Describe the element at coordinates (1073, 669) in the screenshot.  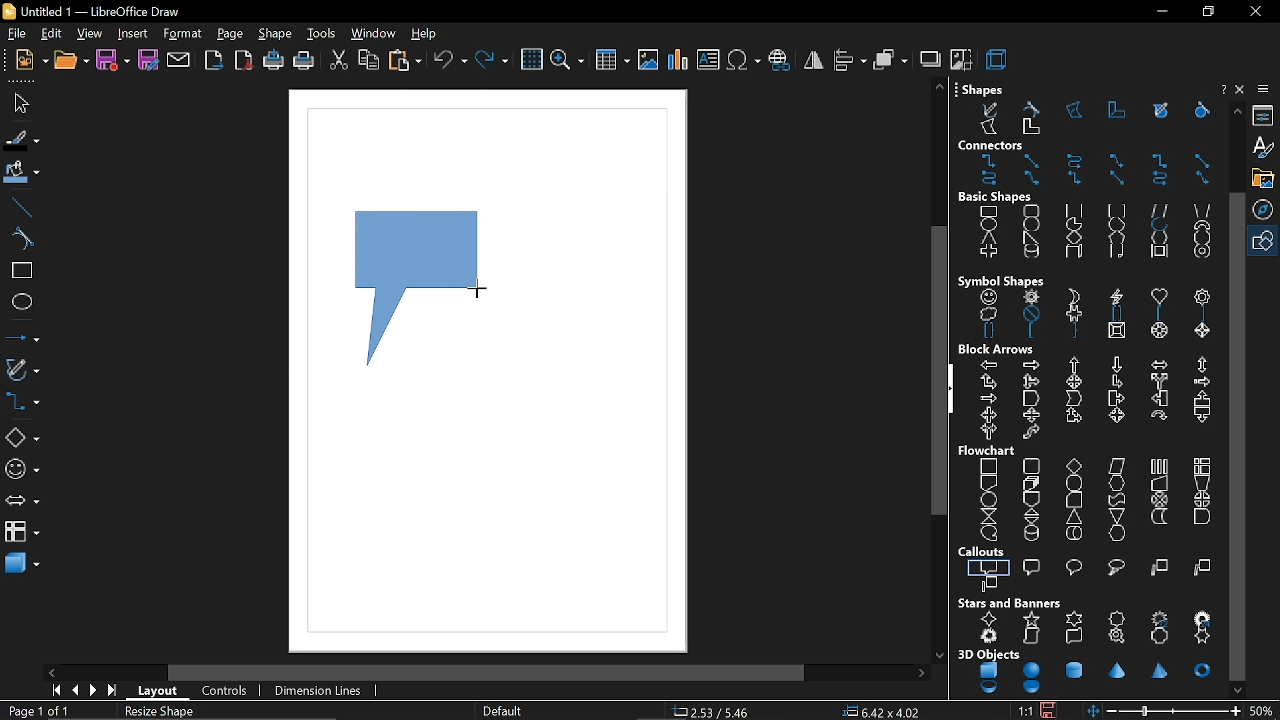
I see `cylinder` at that location.